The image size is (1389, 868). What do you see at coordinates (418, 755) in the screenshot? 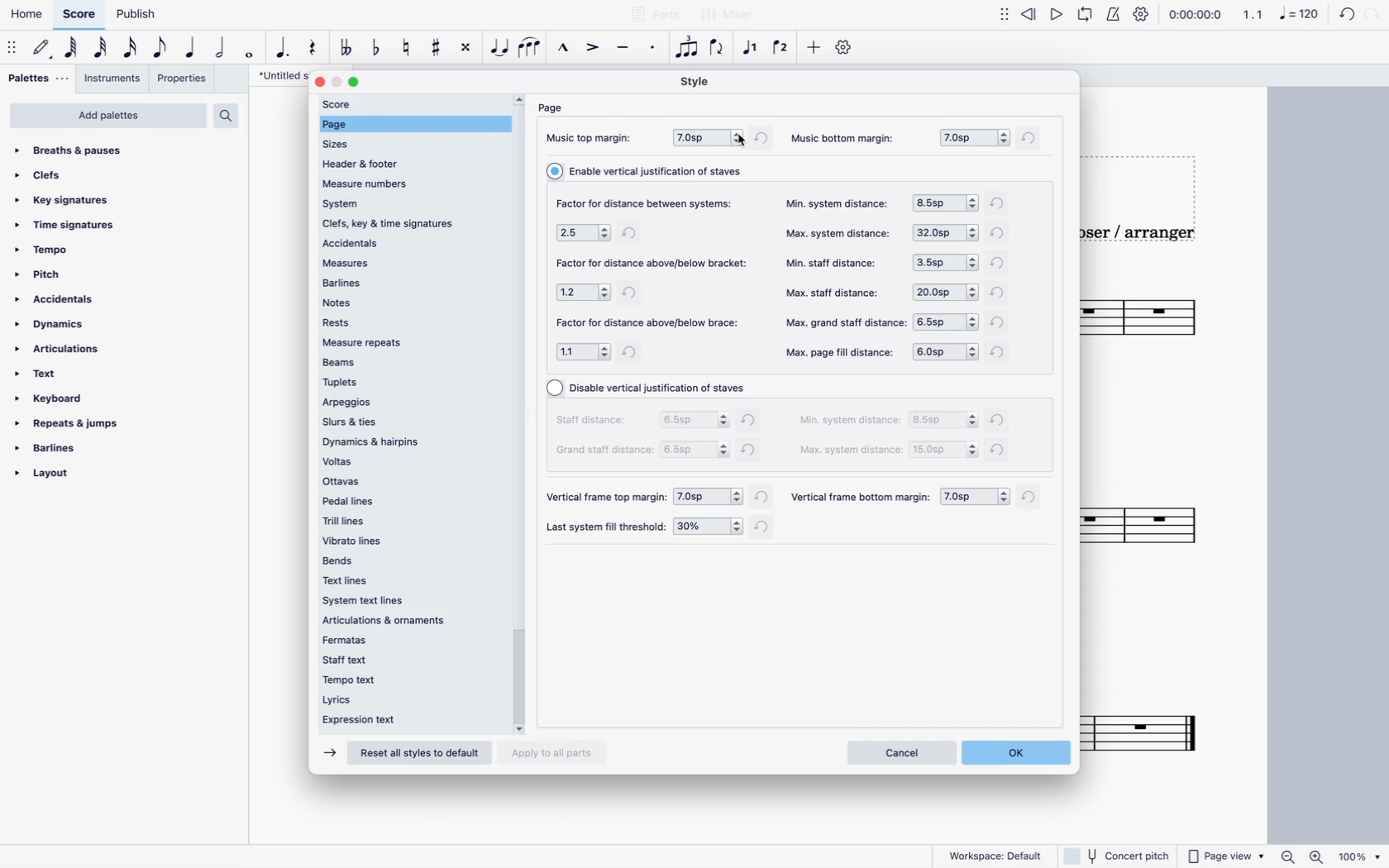
I see `reset all styles to default` at bounding box center [418, 755].